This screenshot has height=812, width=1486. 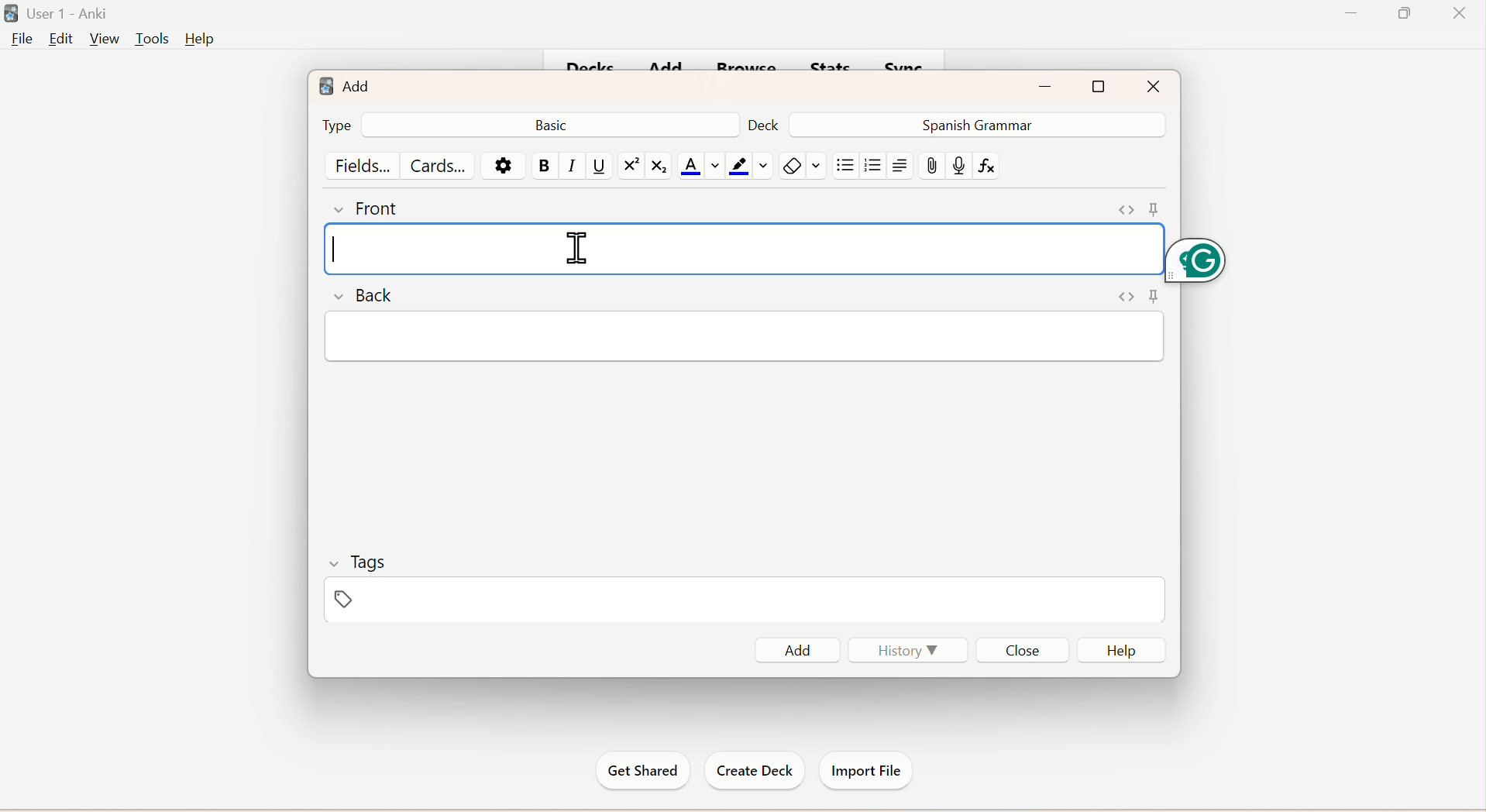 I want to click on Fields..., so click(x=364, y=164).